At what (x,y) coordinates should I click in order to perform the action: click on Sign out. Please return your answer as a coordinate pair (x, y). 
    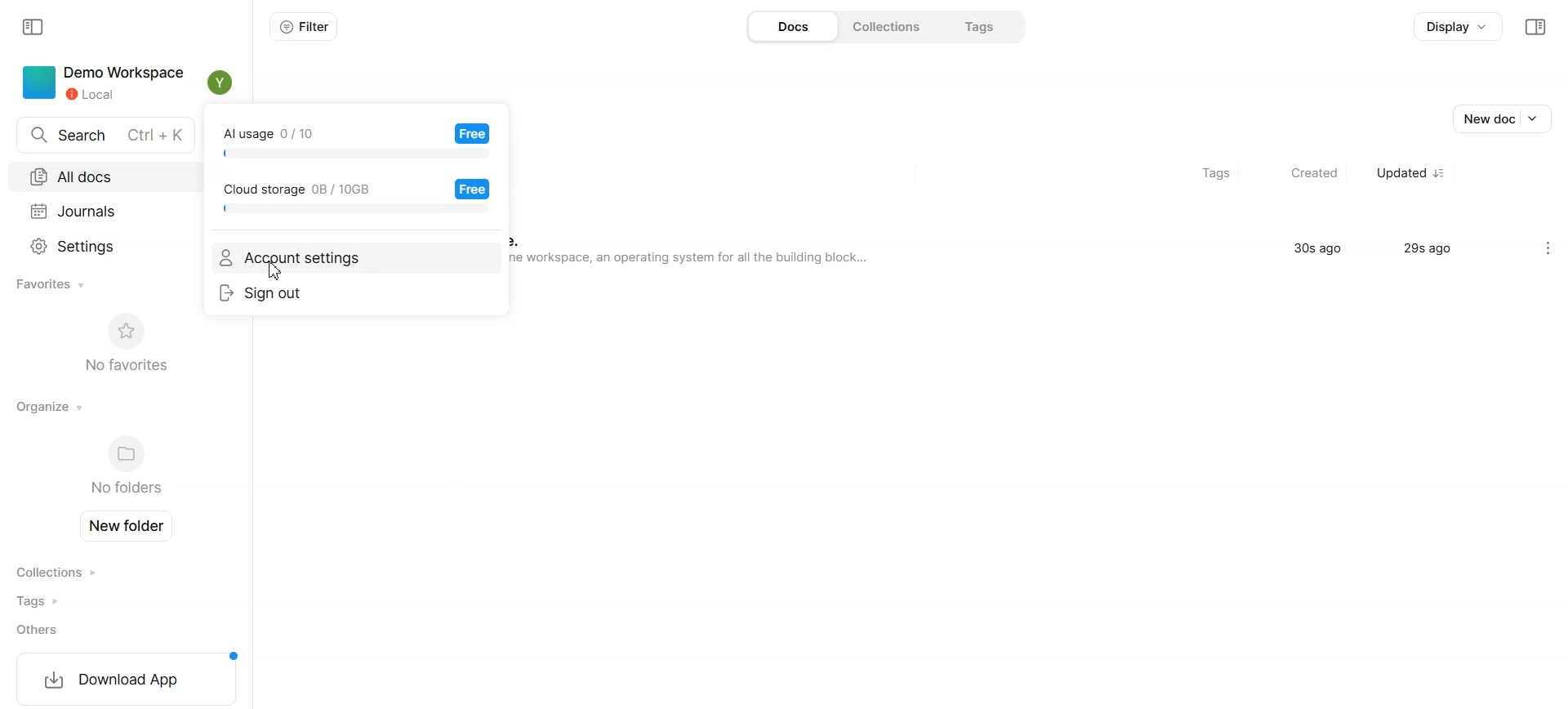
    Looking at the image, I should click on (356, 293).